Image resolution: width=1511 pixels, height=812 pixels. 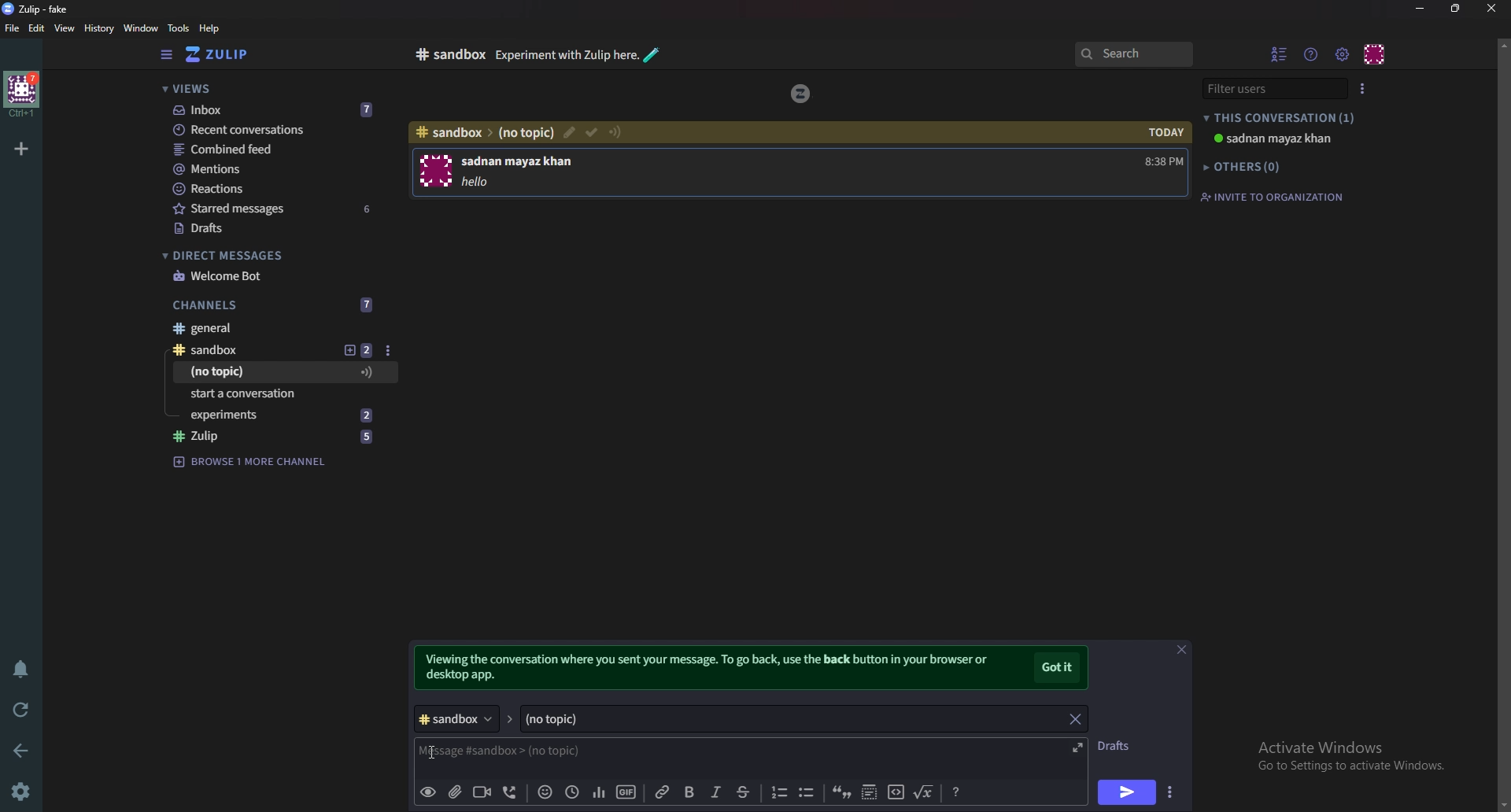 What do you see at coordinates (710, 669) in the screenshot?
I see `Viewing the conversation where you set your message. To go back, use the back button in your browser or desktop app.` at bounding box center [710, 669].